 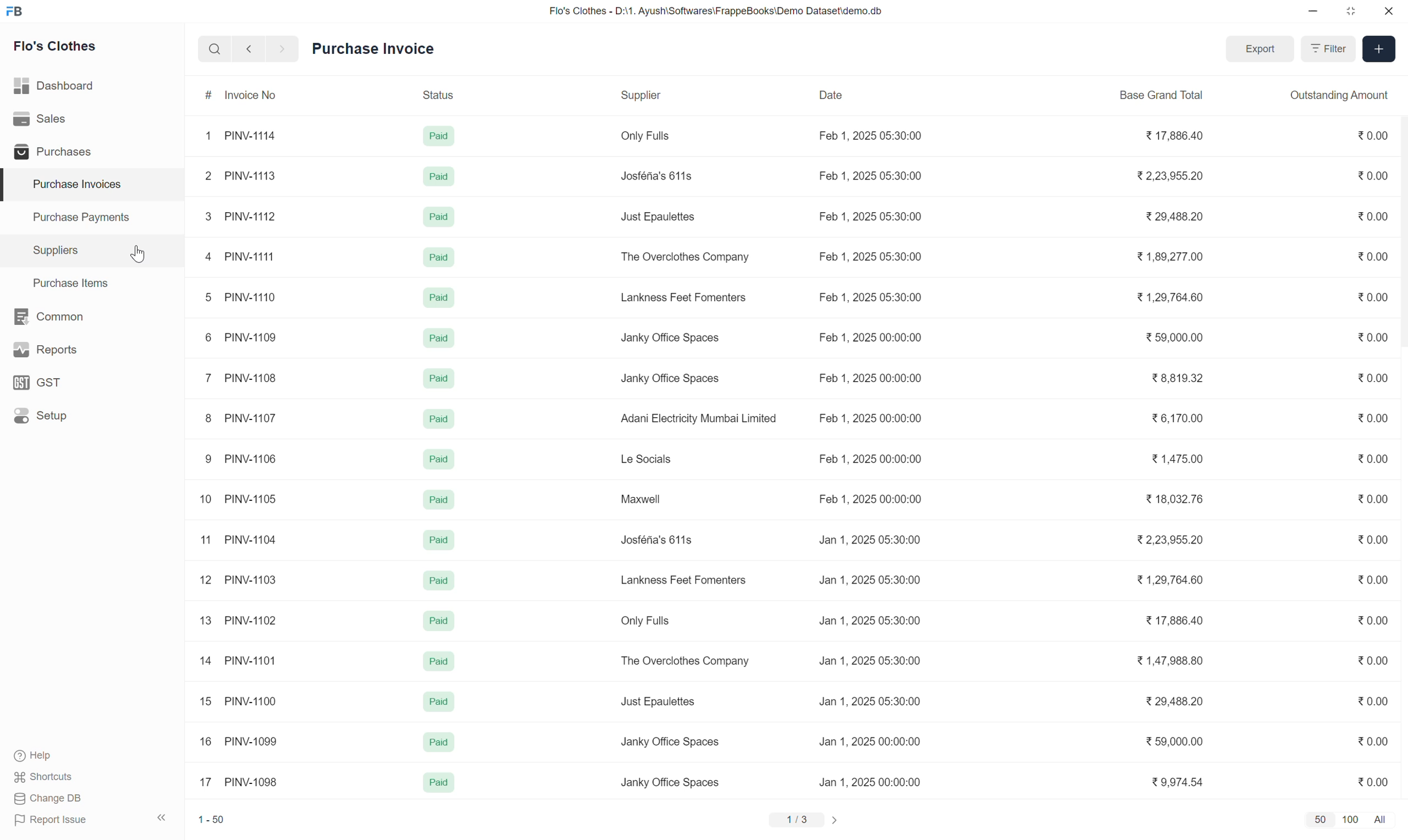 What do you see at coordinates (211, 258) in the screenshot?
I see `4` at bounding box center [211, 258].